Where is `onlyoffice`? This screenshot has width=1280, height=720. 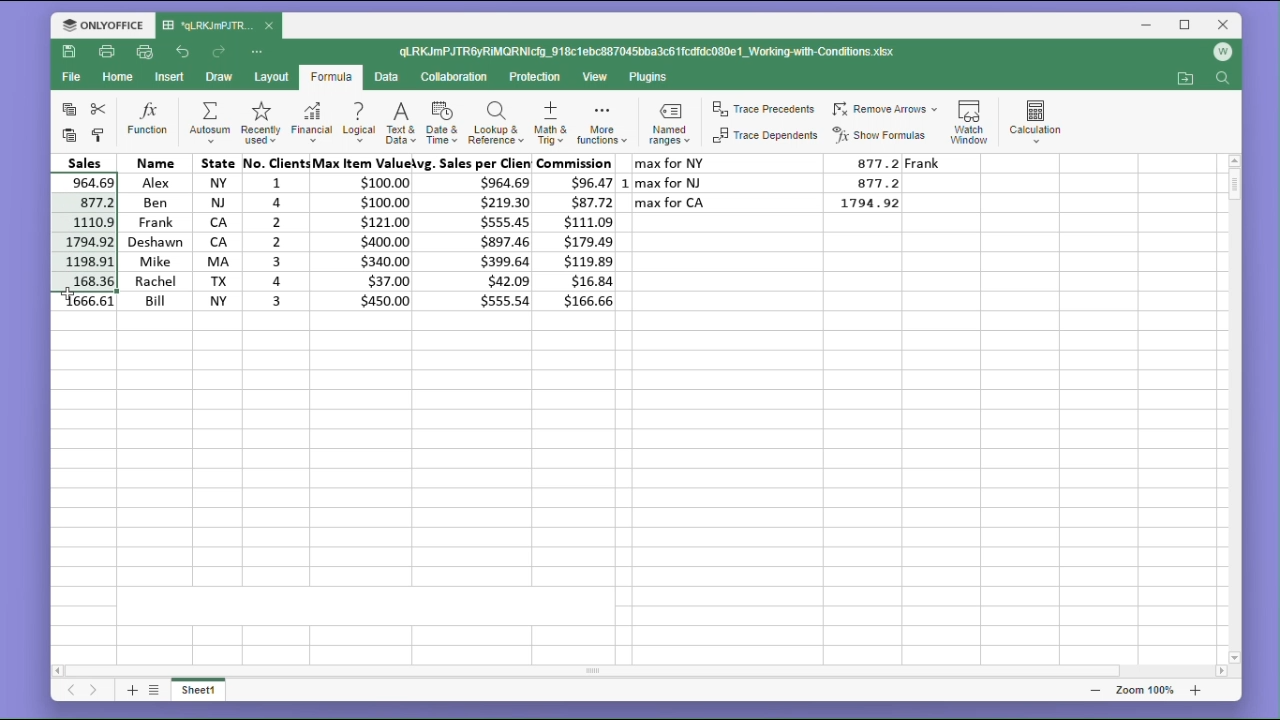 onlyoffice is located at coordinates (98, 24).